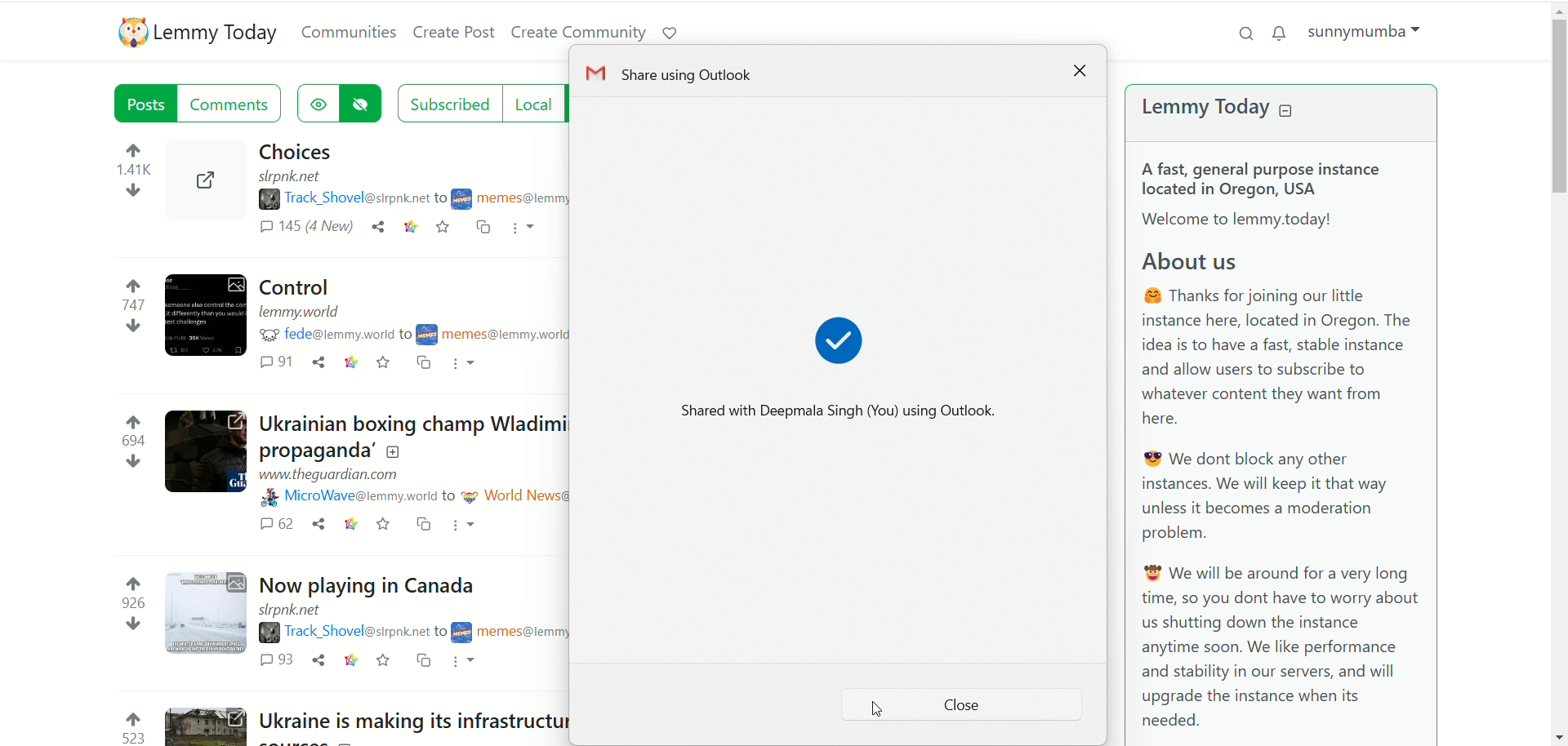 This screenshot has width=1568, height=746. I want to click on Expand the post with the image, so click(206, 724).